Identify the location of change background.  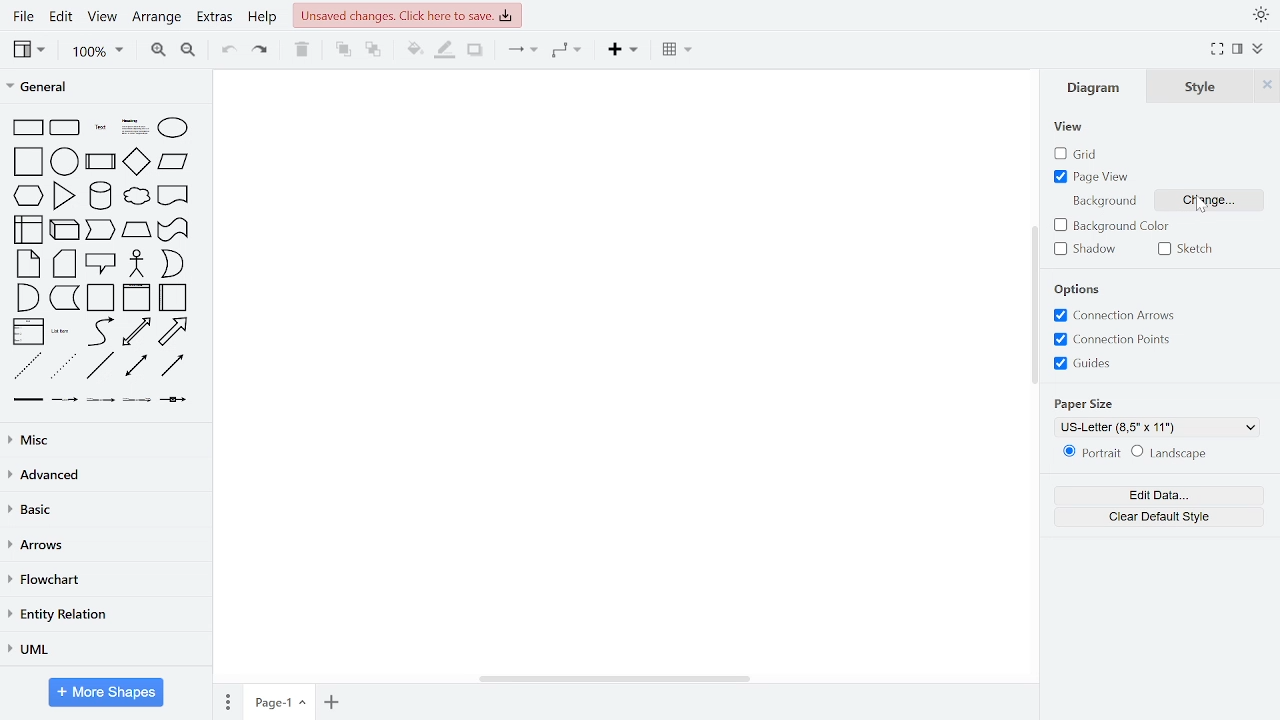
(1209, 200).